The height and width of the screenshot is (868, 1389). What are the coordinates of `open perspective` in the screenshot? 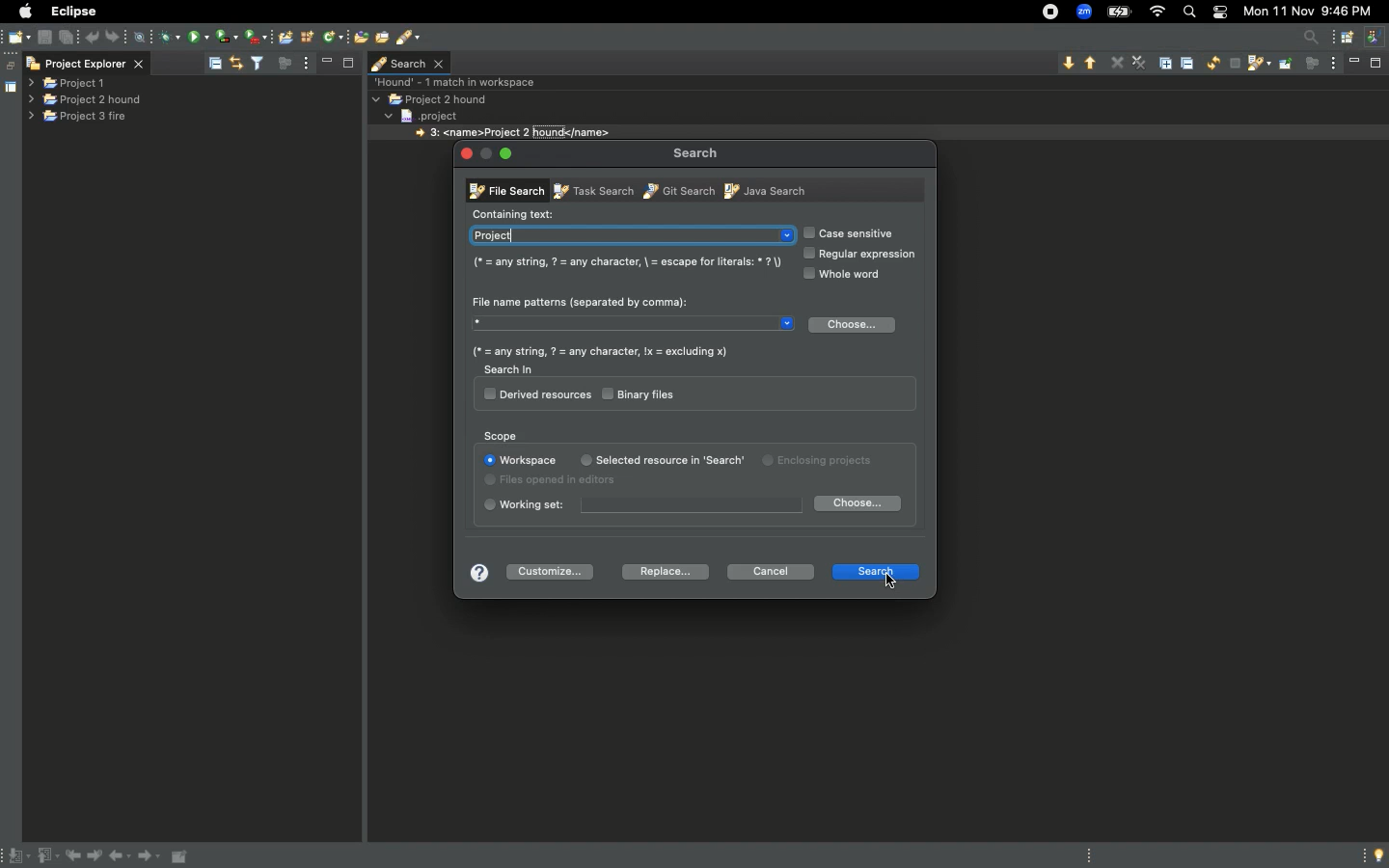 It's located at (1345, 39).